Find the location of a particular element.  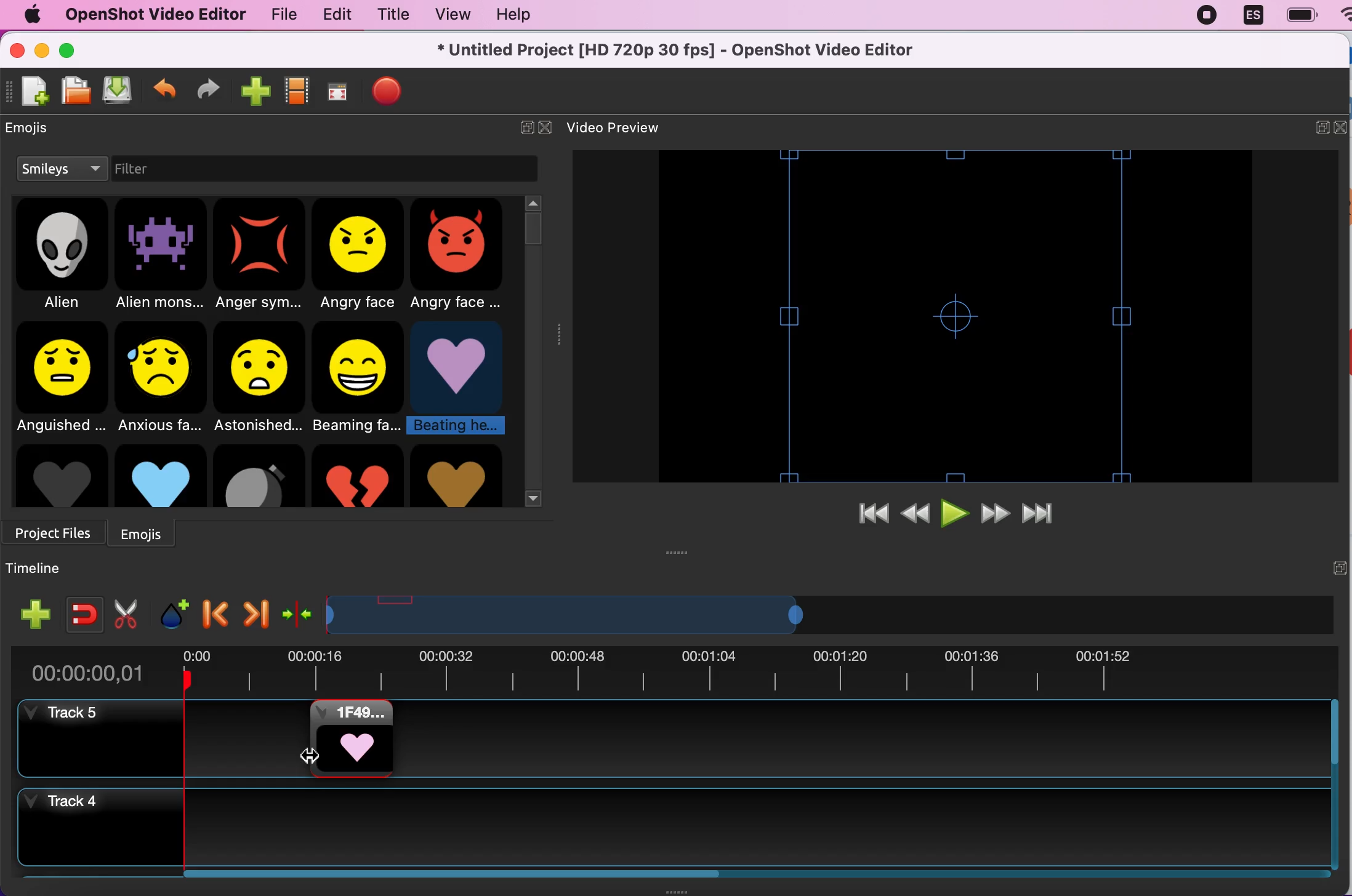

track 5 is located at coordinates (859, 739).